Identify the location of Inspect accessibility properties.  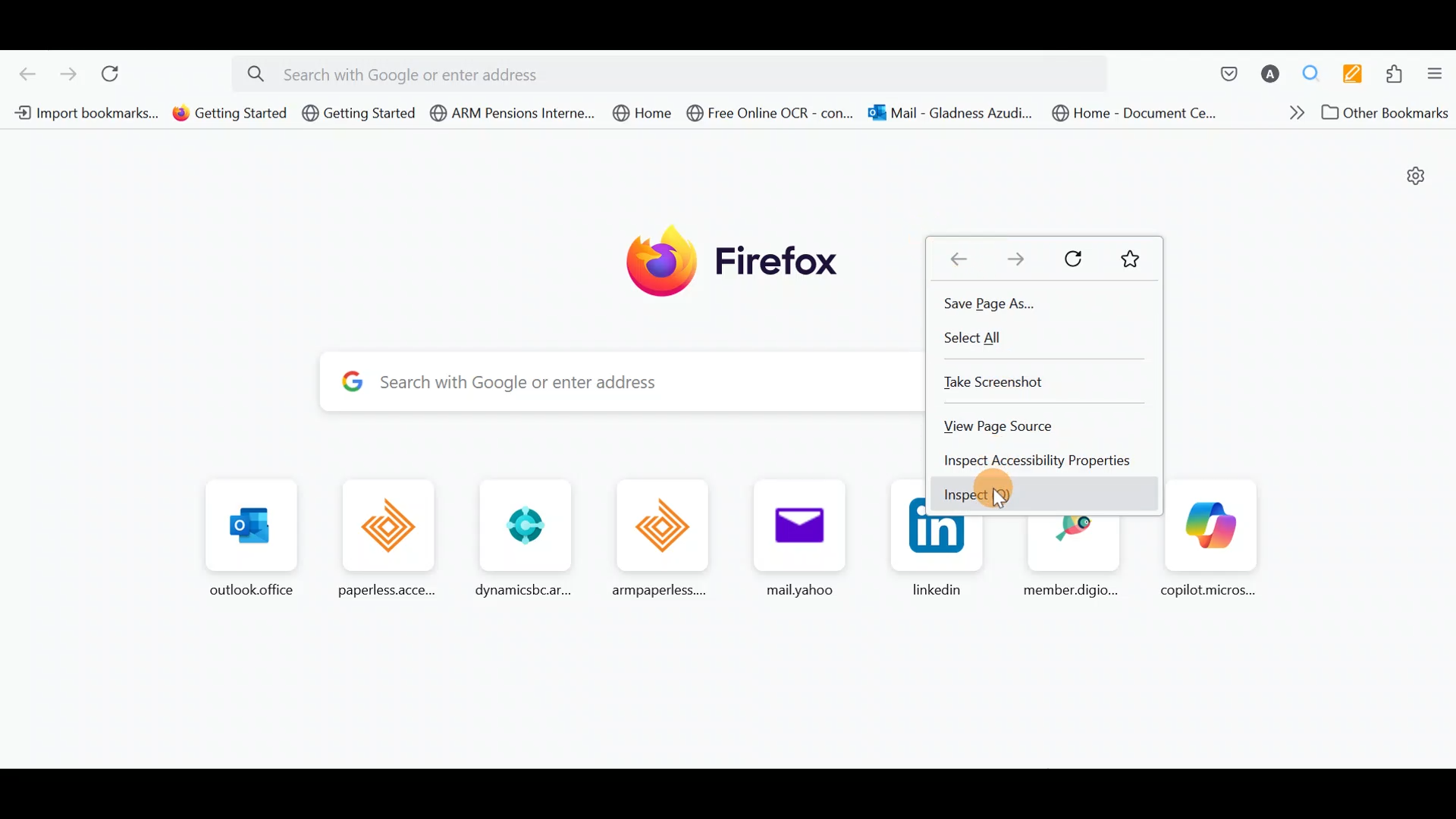
(1036, 462).